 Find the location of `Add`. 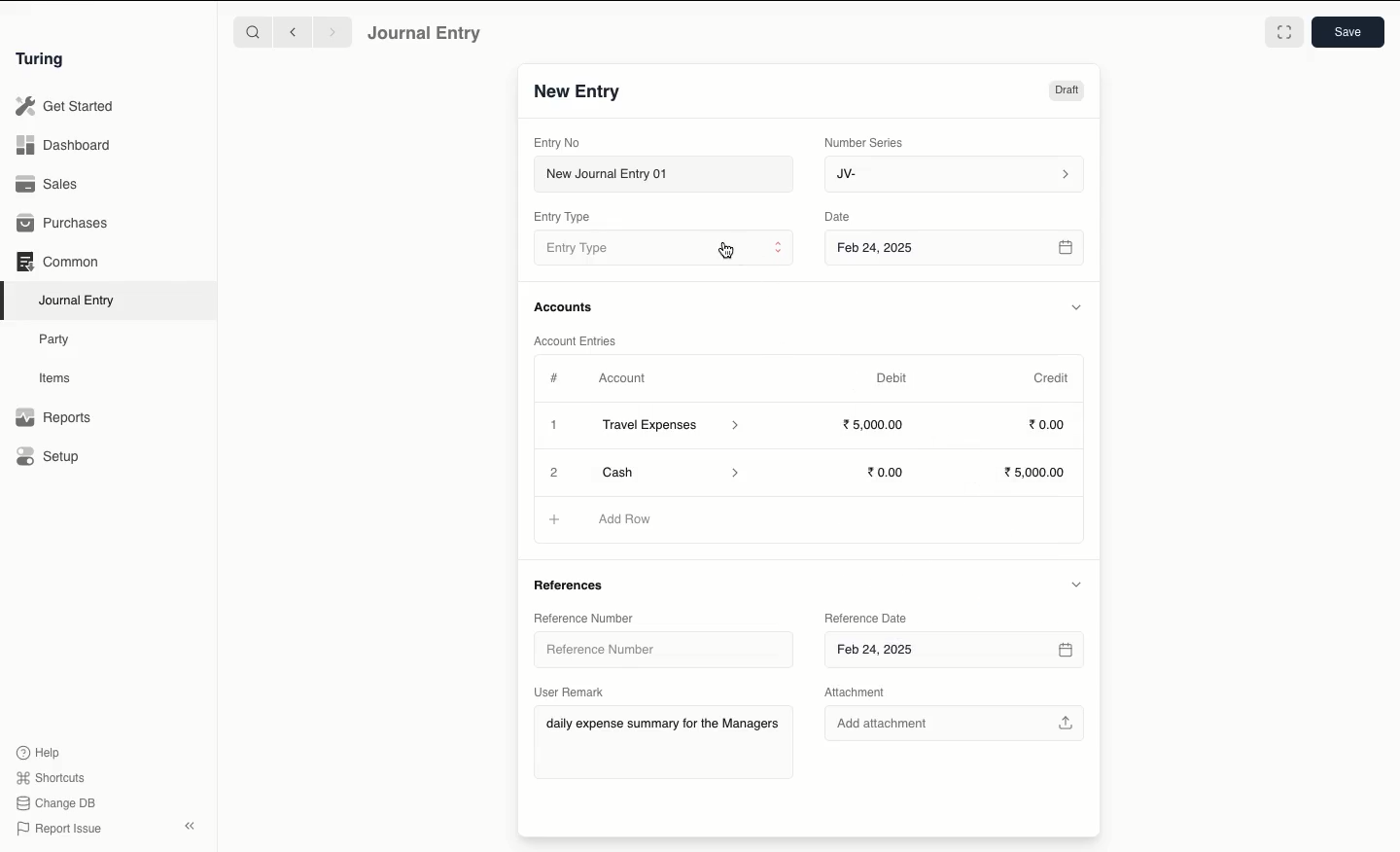

Add is located at coordinates (553, 470).